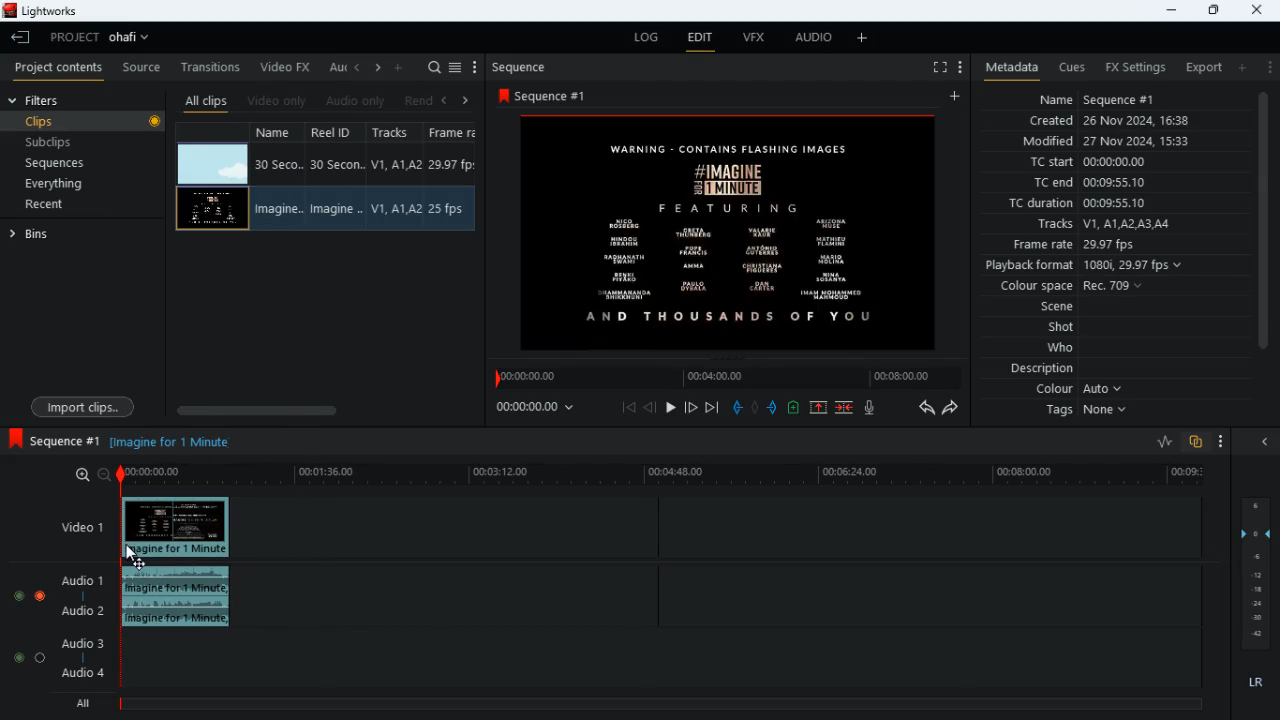  I want to click on vfx, so click(760, 41).